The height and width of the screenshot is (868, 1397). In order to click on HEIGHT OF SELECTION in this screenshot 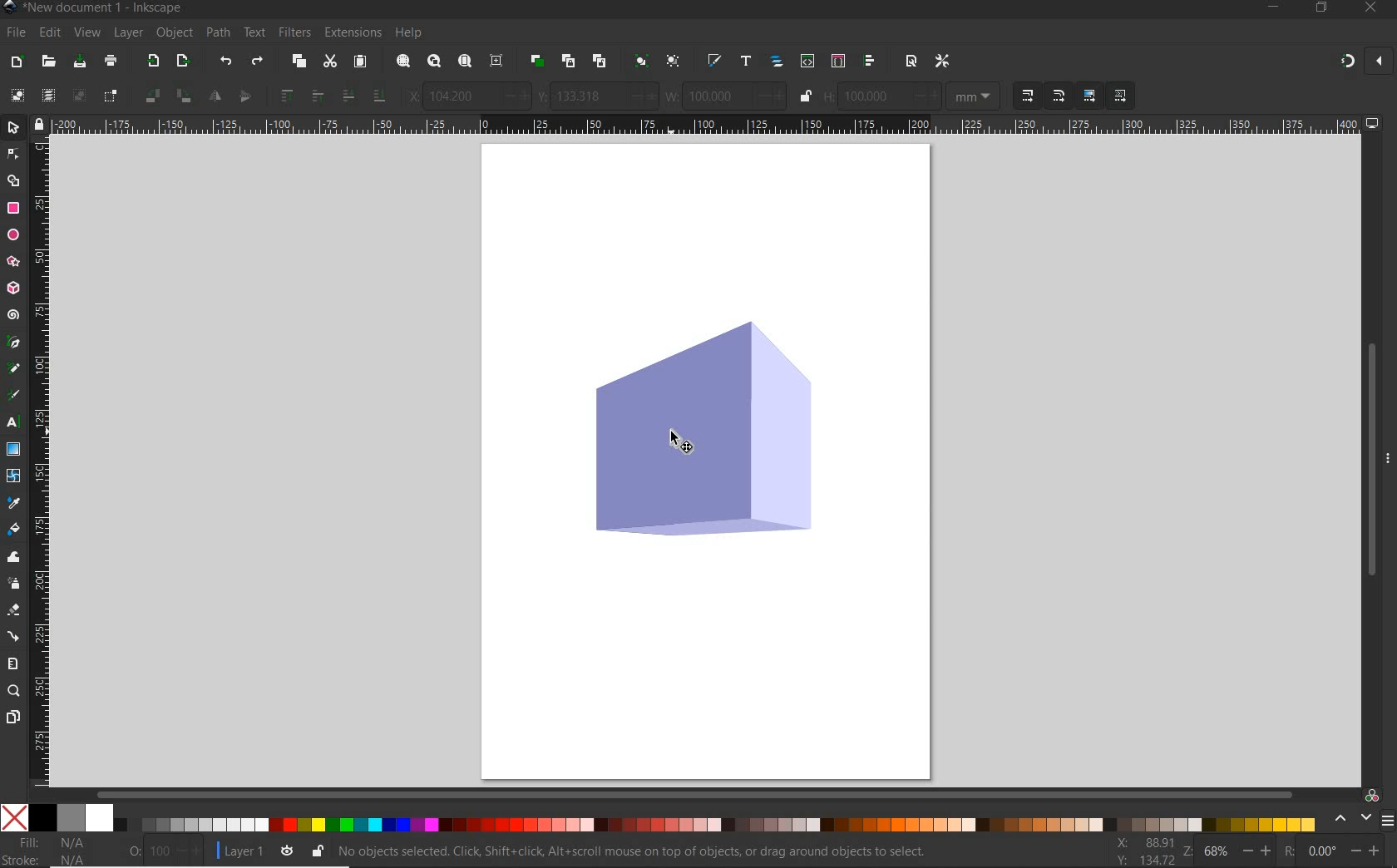, I will do `click(828, 96)`.